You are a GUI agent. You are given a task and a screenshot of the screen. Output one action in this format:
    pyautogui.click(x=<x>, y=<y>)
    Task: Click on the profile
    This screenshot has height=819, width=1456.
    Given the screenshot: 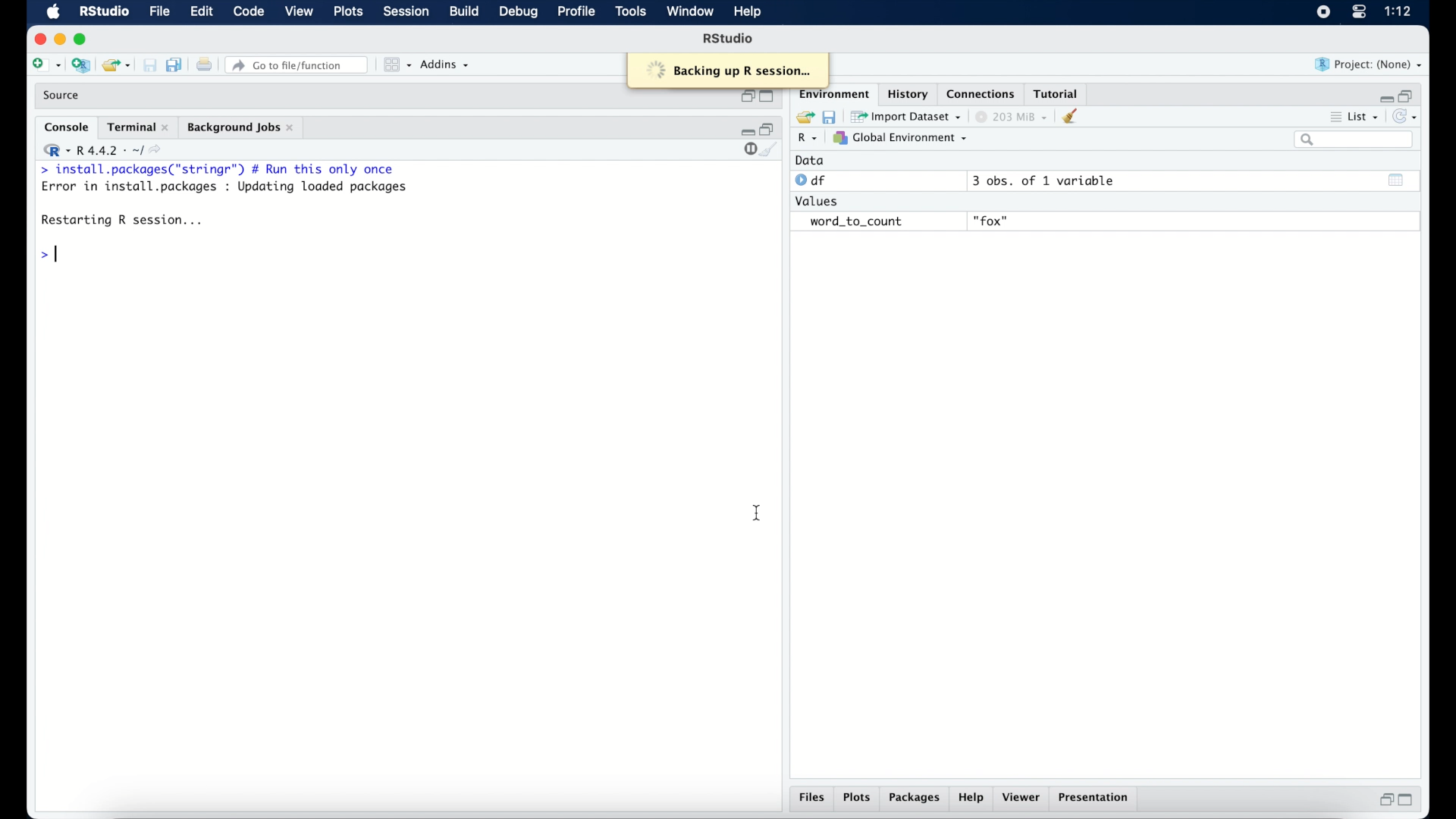 What is the action you would take?
    pyautogui.click(x=575, y=12)
    